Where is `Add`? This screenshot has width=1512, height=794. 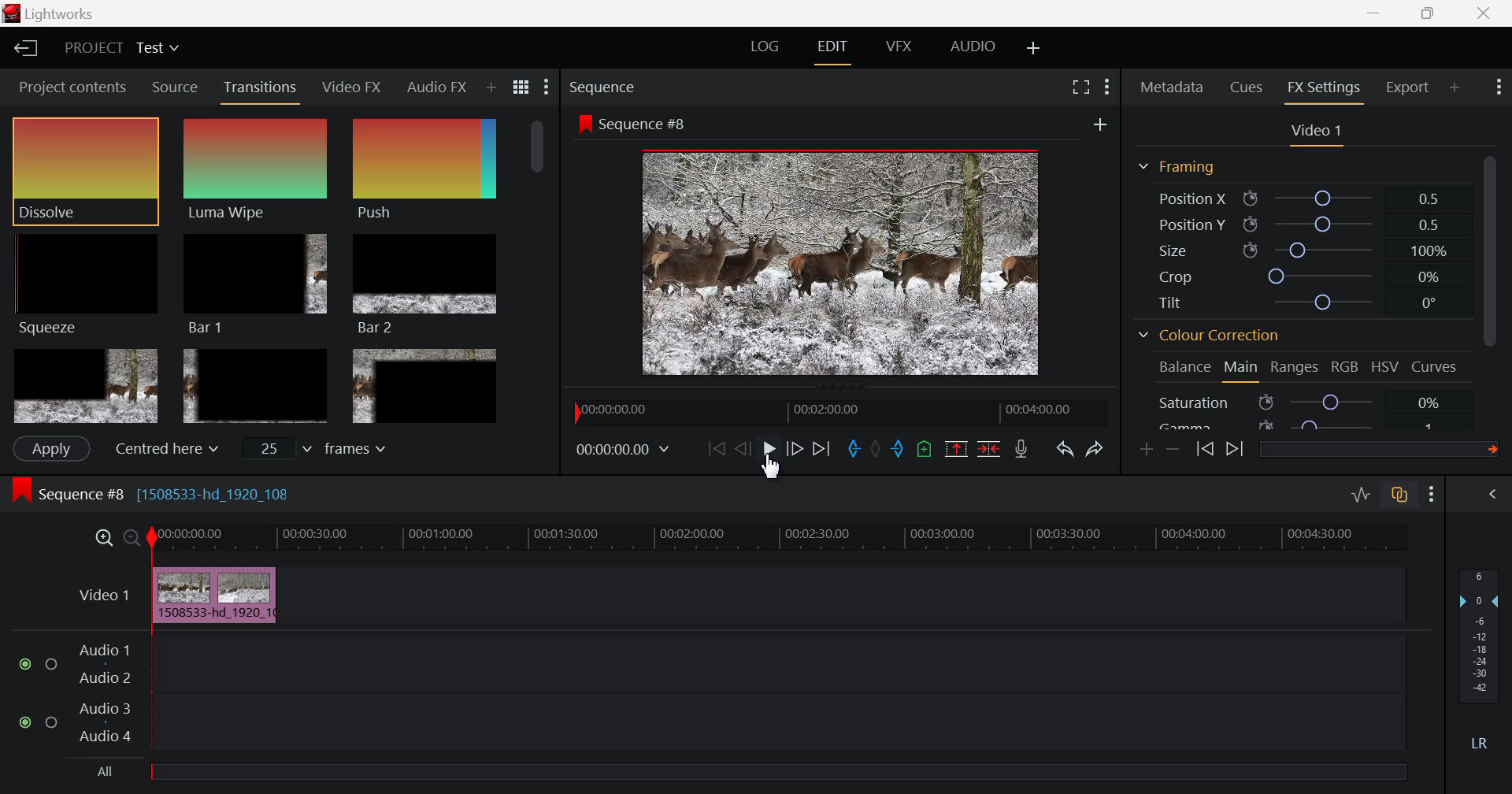 Add is located at coordinates (1100, 124).